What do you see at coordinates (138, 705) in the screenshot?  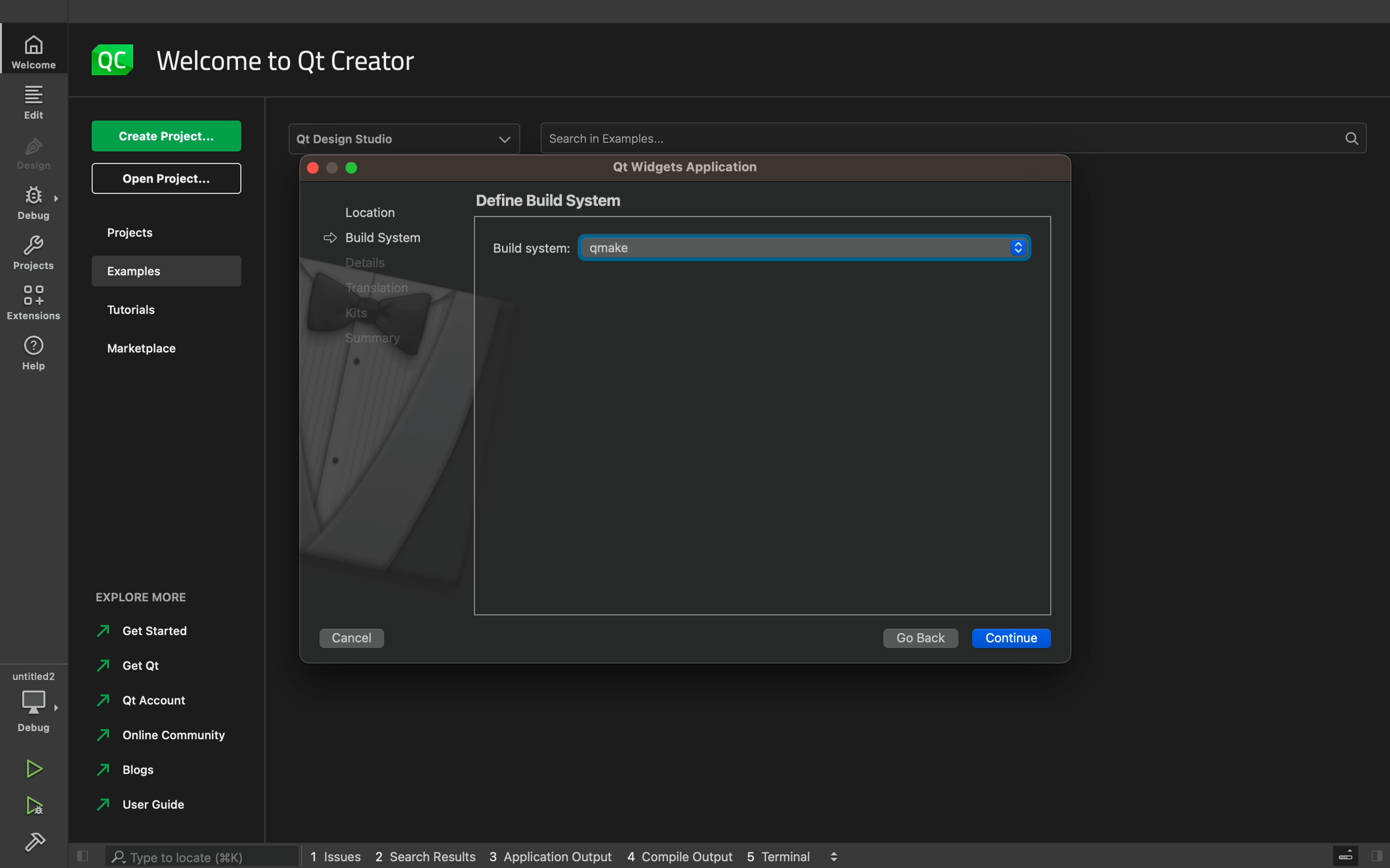 I see `` at bounding box center [138, 705].